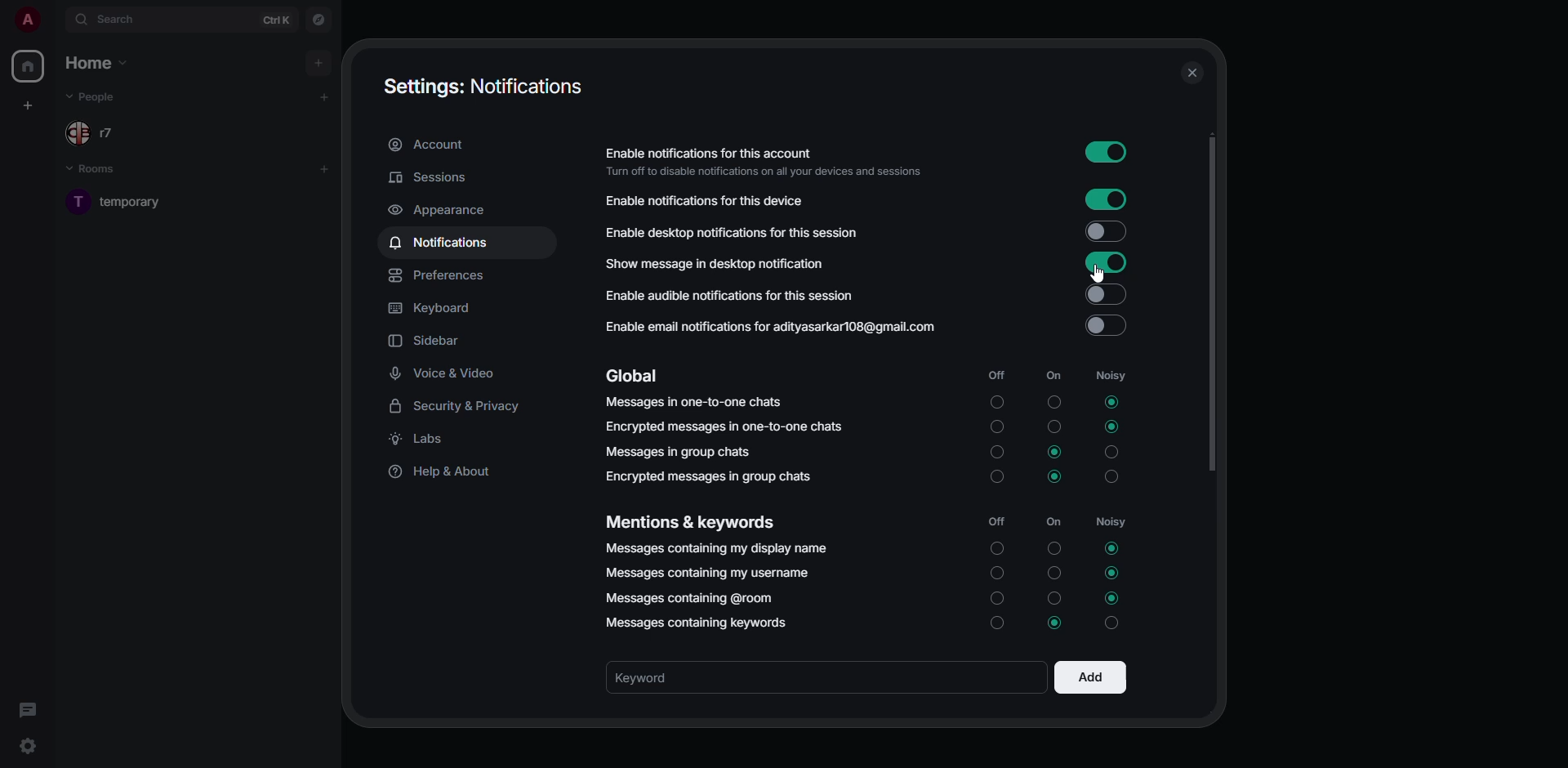 The height and width of the screenshot is (768, 1568). What do you see at coordinates (728, 297) in the screenshot?
I see `enable audible notifications` at bounding box center [728, 297].